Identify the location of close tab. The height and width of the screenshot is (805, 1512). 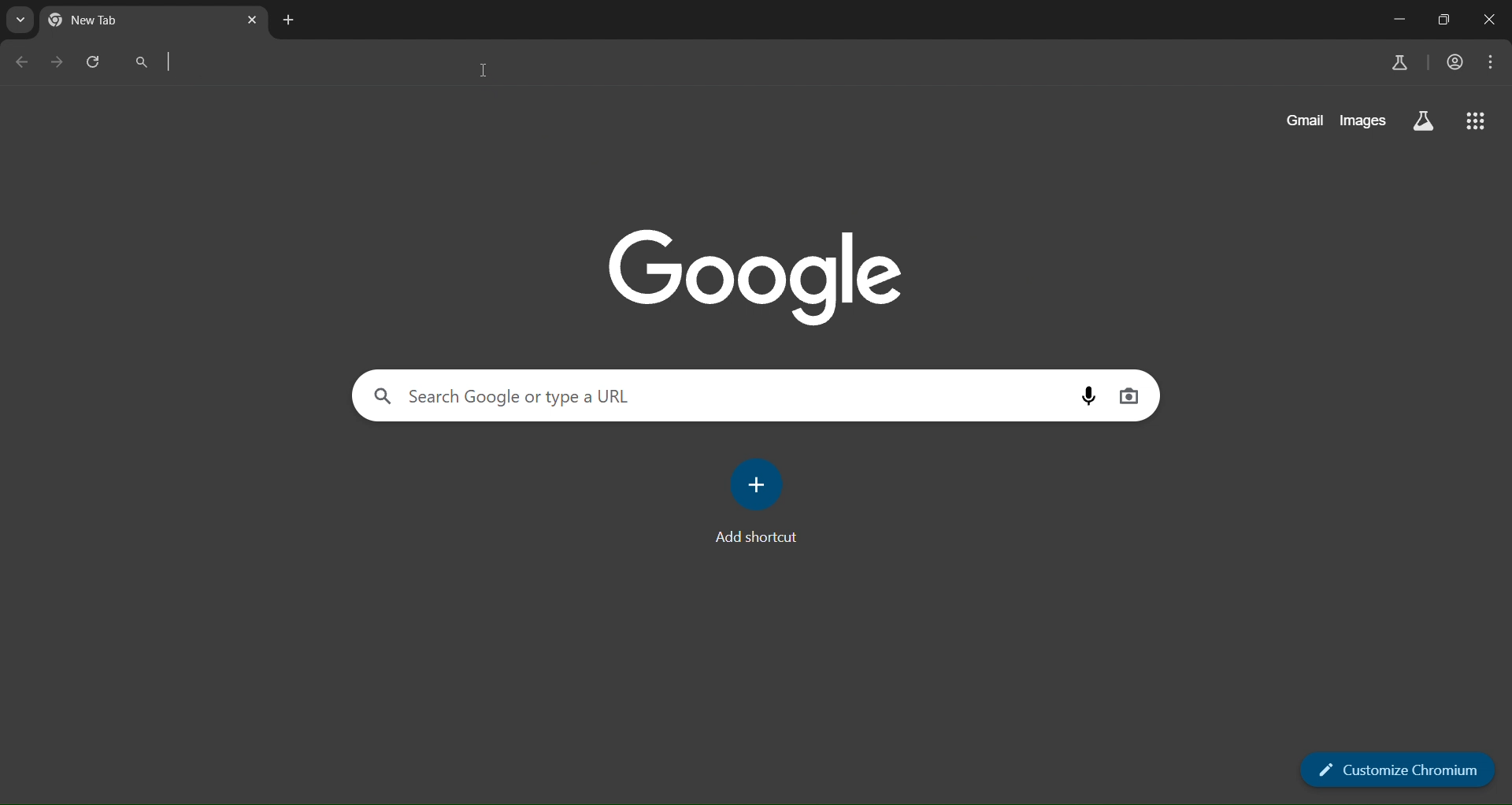
(254, 20).